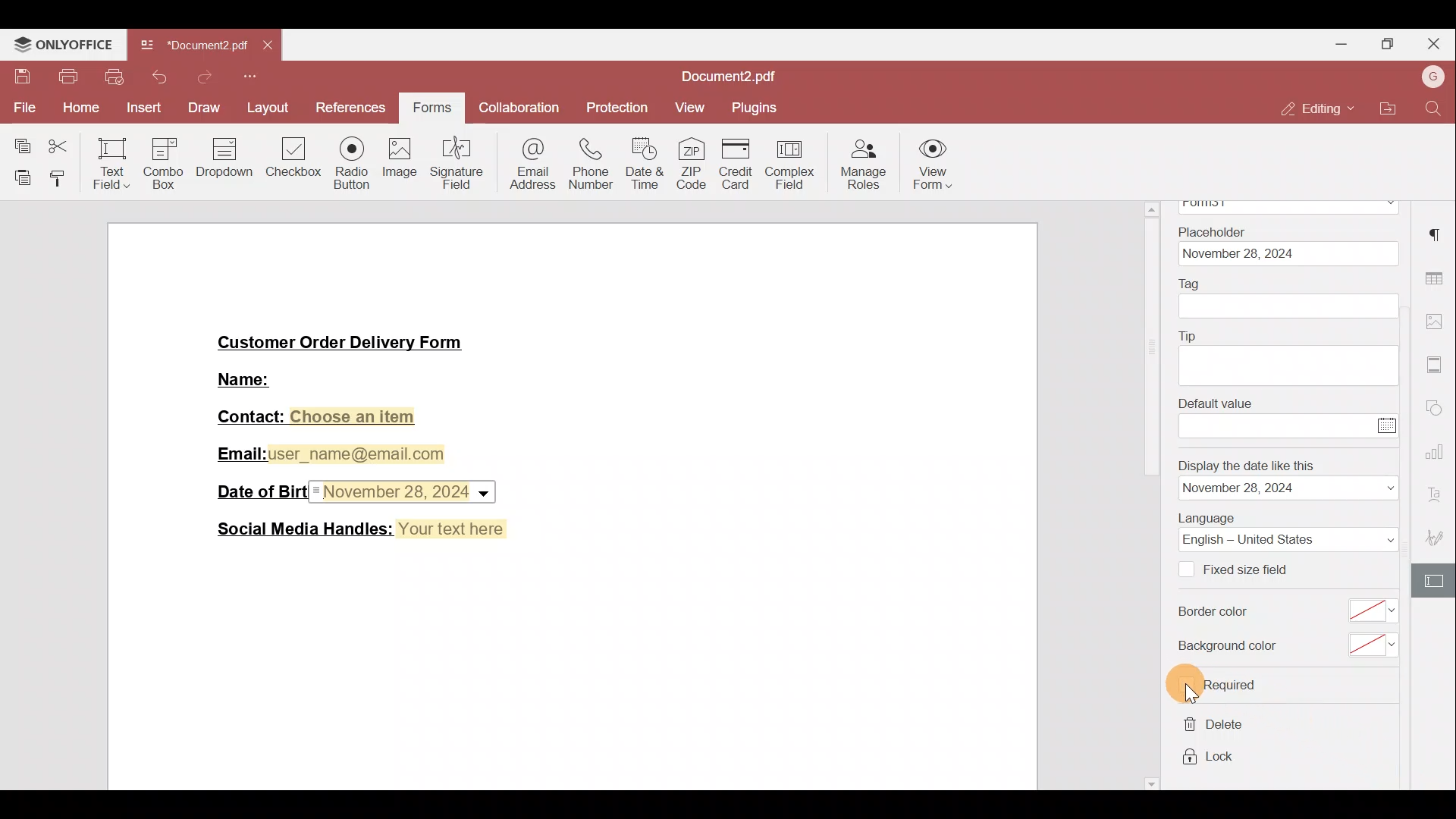 The width and height of the screenshot is (1456, 819). Describe the element at coordinates (1436, 365) in the screenshot. I see `More settings` at that location.